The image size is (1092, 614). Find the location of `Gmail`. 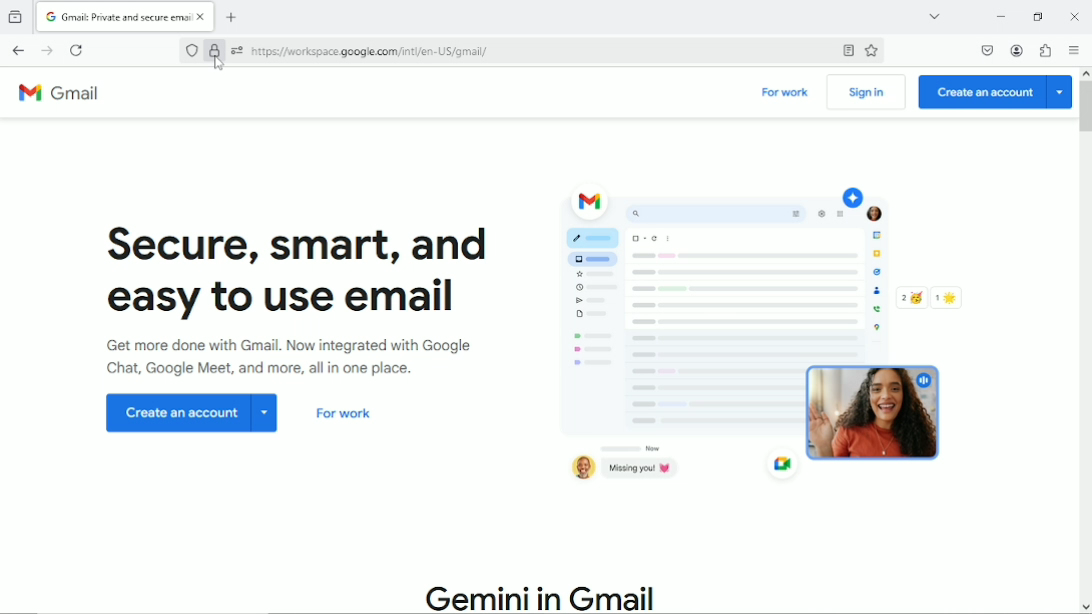

Gmail is located at coordinates (66, 95).